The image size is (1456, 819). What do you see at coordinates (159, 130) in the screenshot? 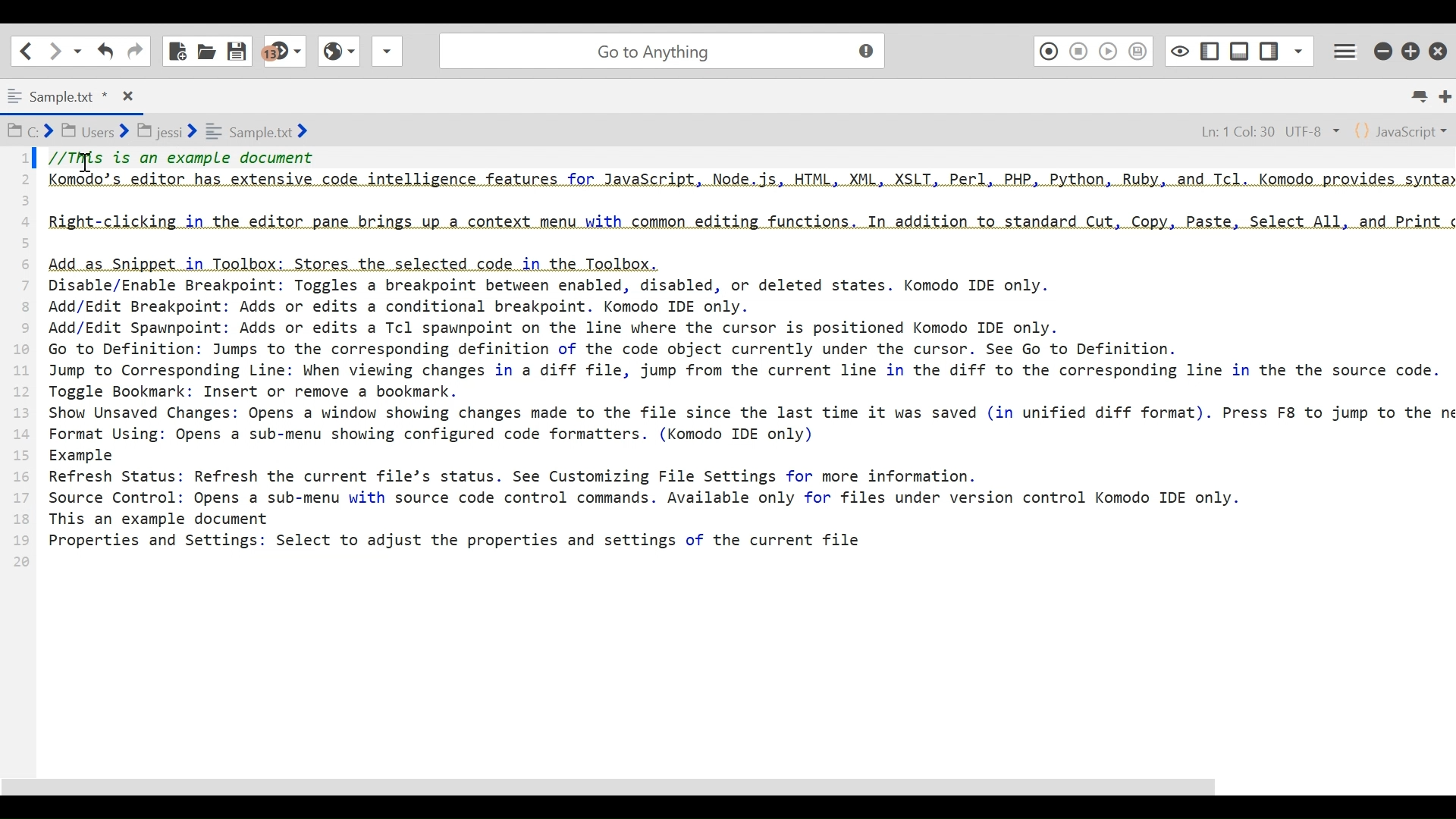
I see `Show in location` at bounding box center [159, 130].